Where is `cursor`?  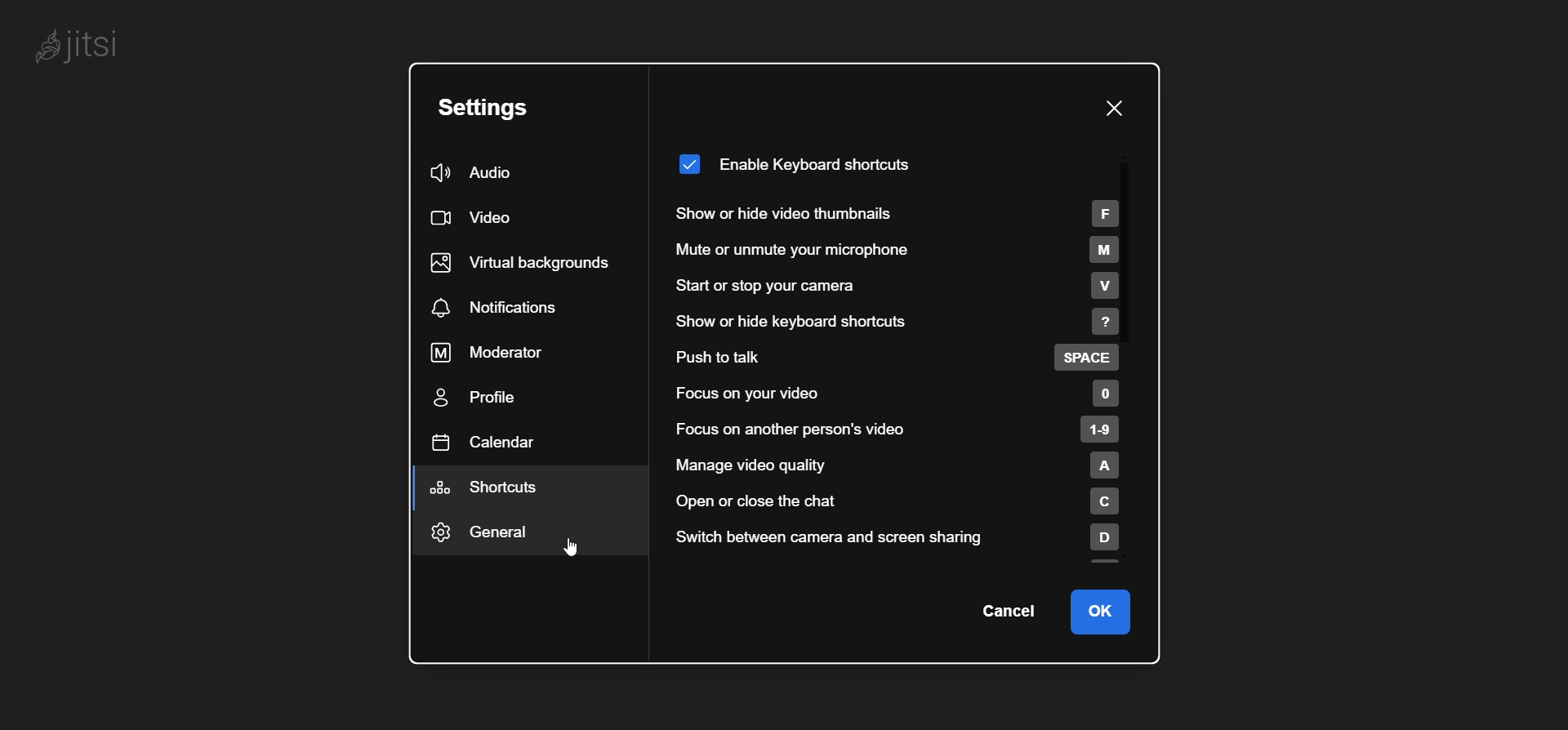 cursor is located at coordinates (558, 551).